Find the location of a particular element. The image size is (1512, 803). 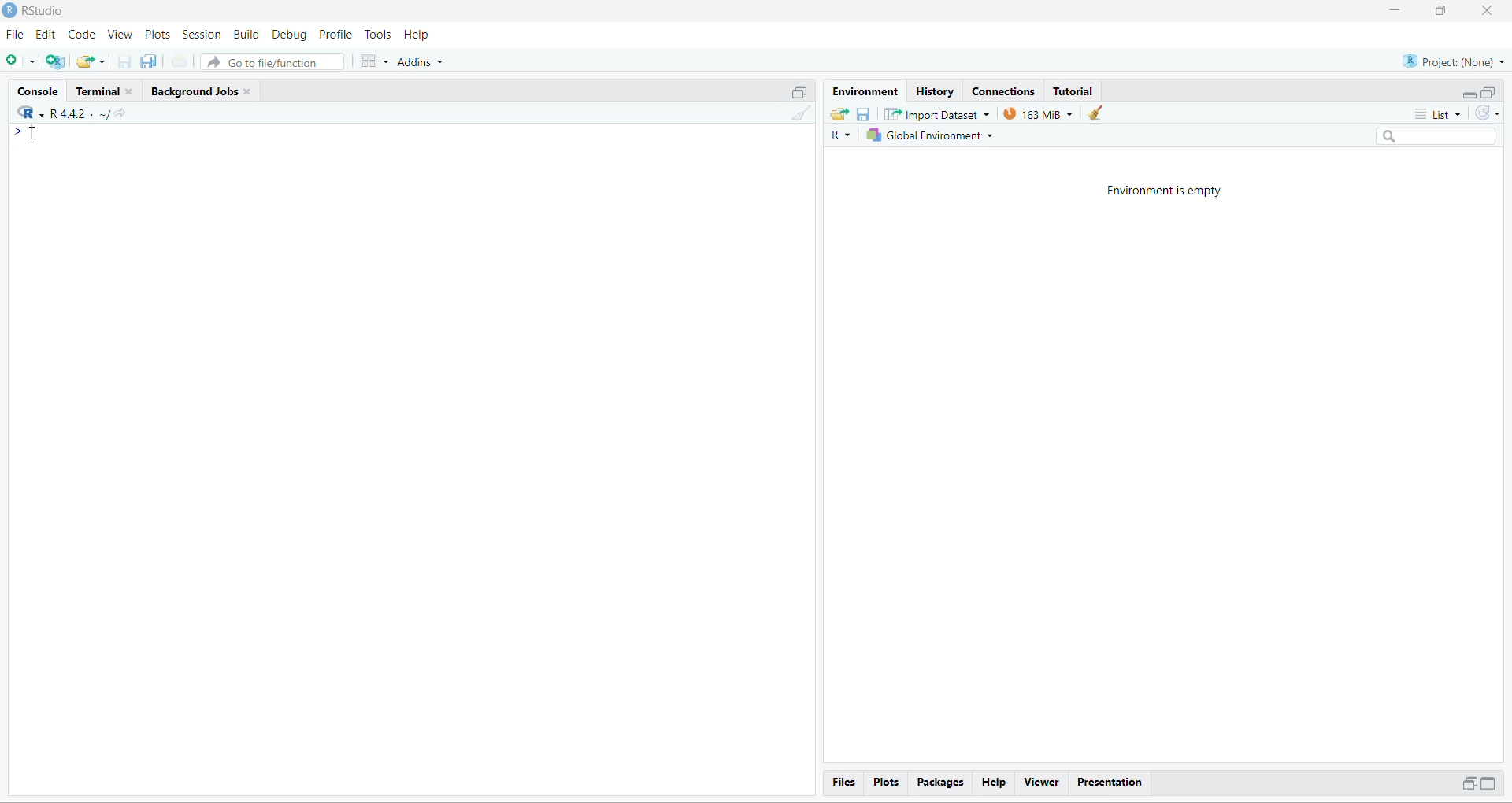

View is located at coordinates (120, 35).